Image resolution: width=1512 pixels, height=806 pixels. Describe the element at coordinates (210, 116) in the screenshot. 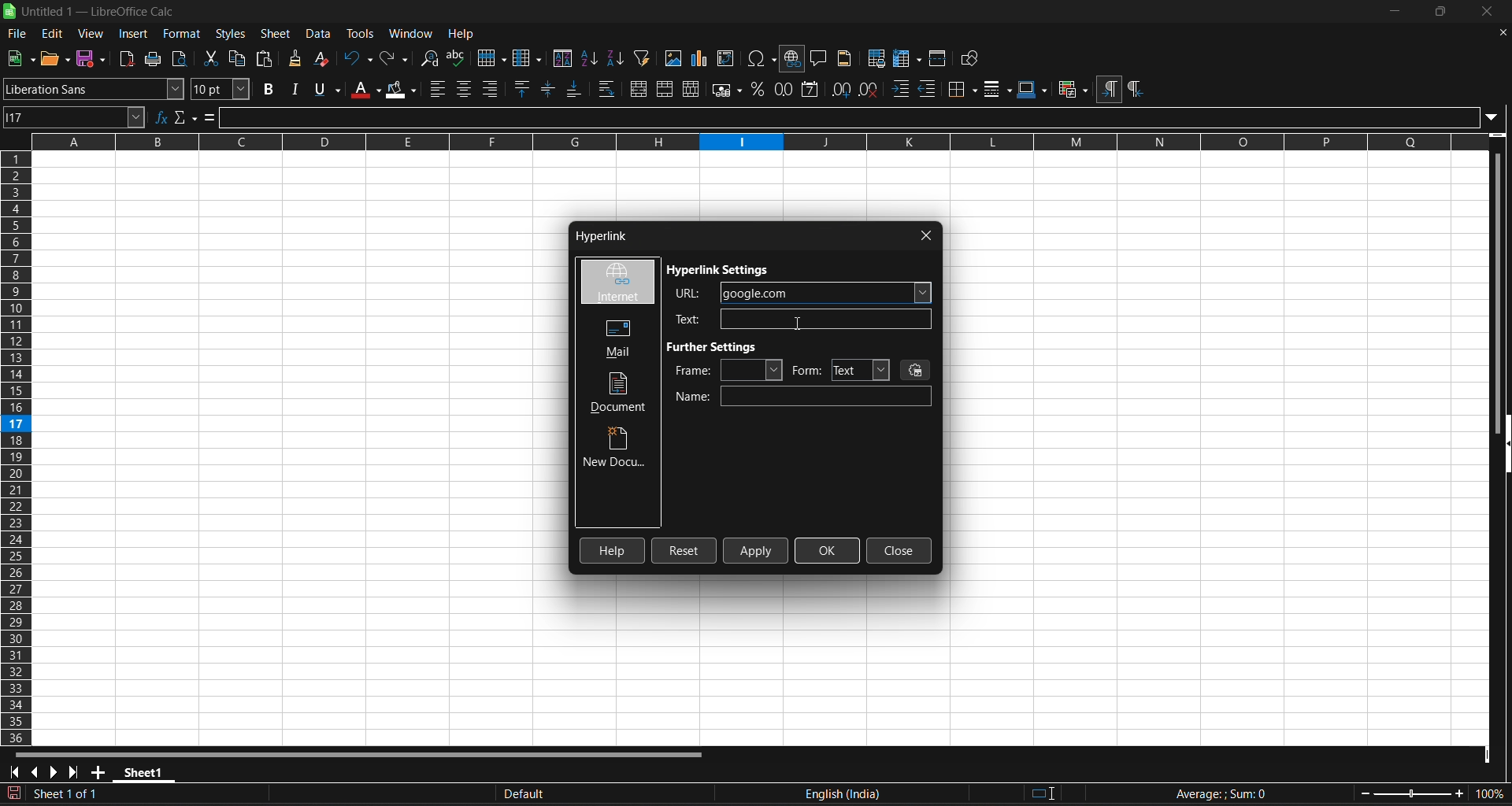

I see `formula` at that location.